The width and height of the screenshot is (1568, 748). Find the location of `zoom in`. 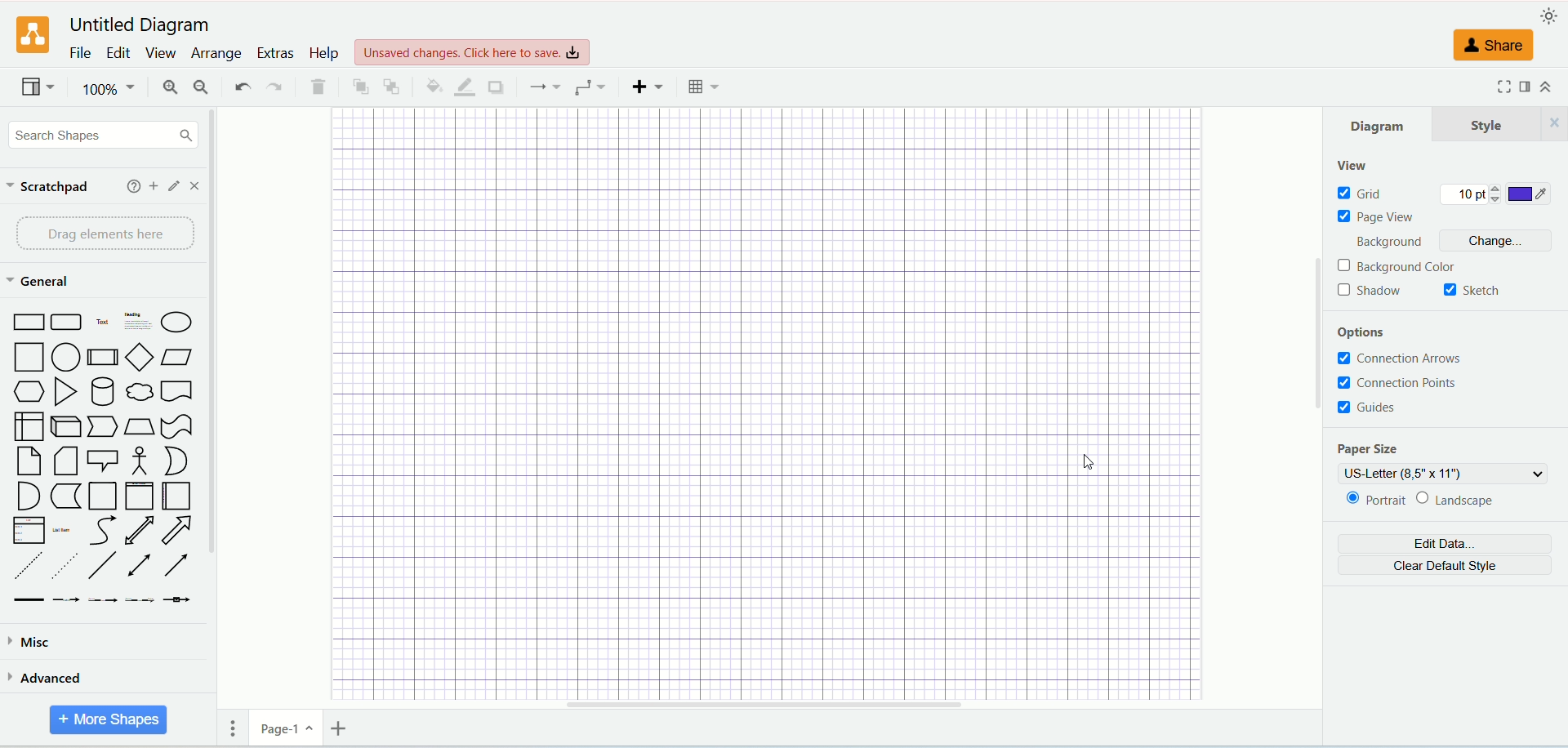

zoom in is located at coordinates (170, 88).